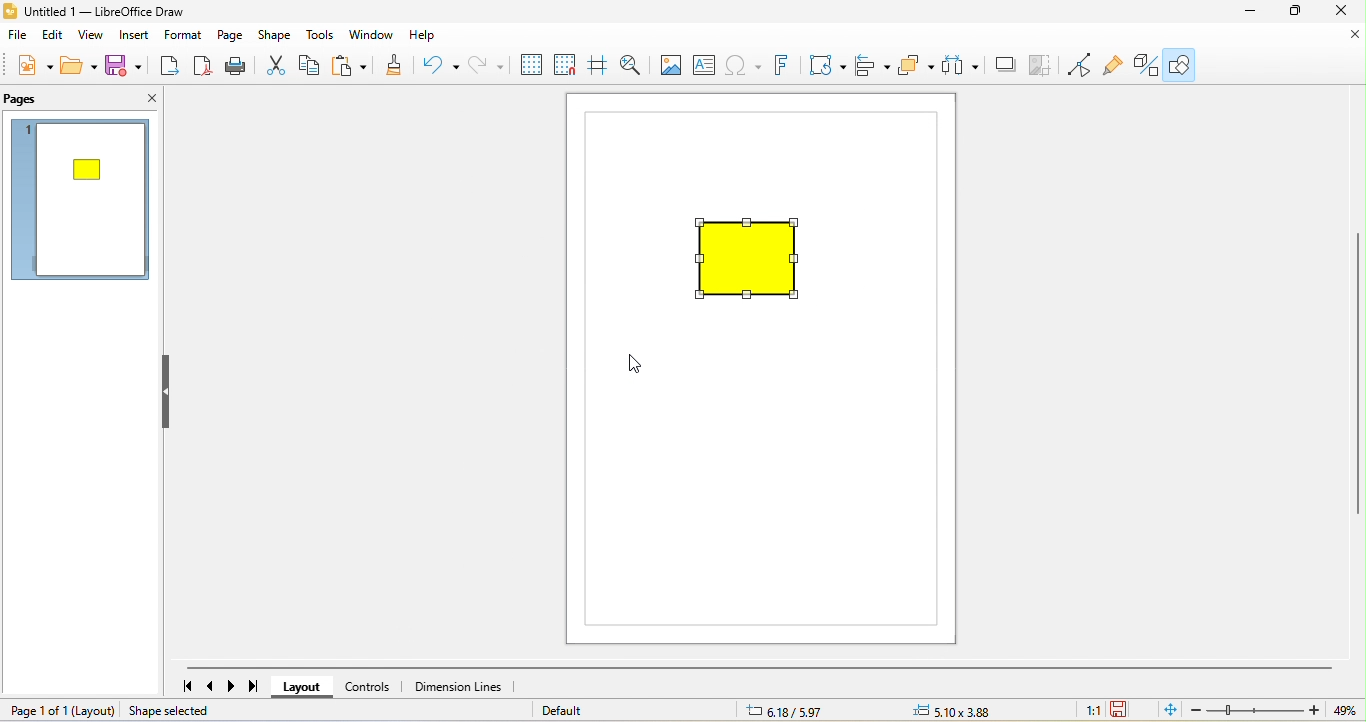  I want to click on close, so click(1344, 14).